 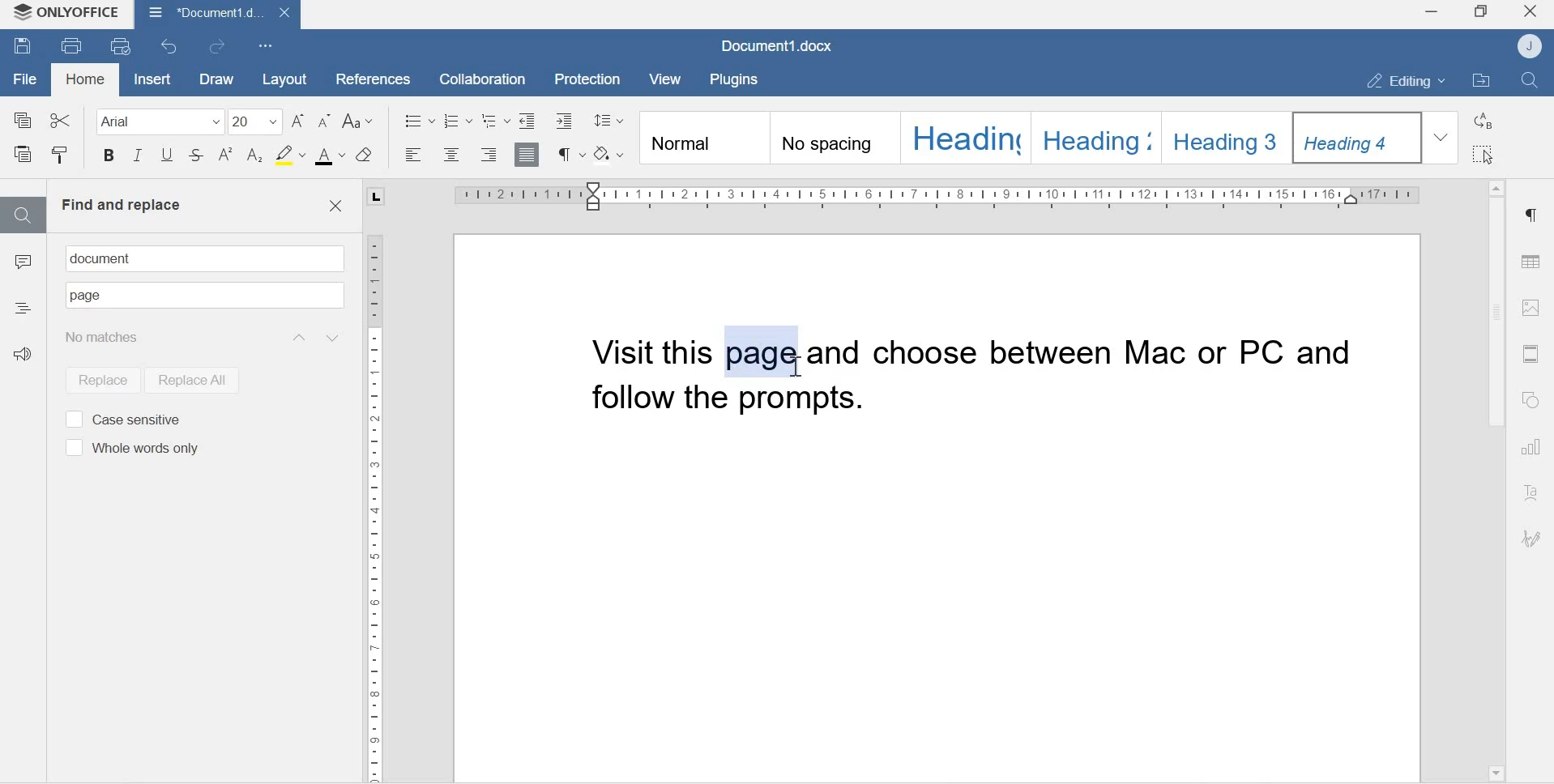 I want to click on Print file, so click(x=73, y=45).